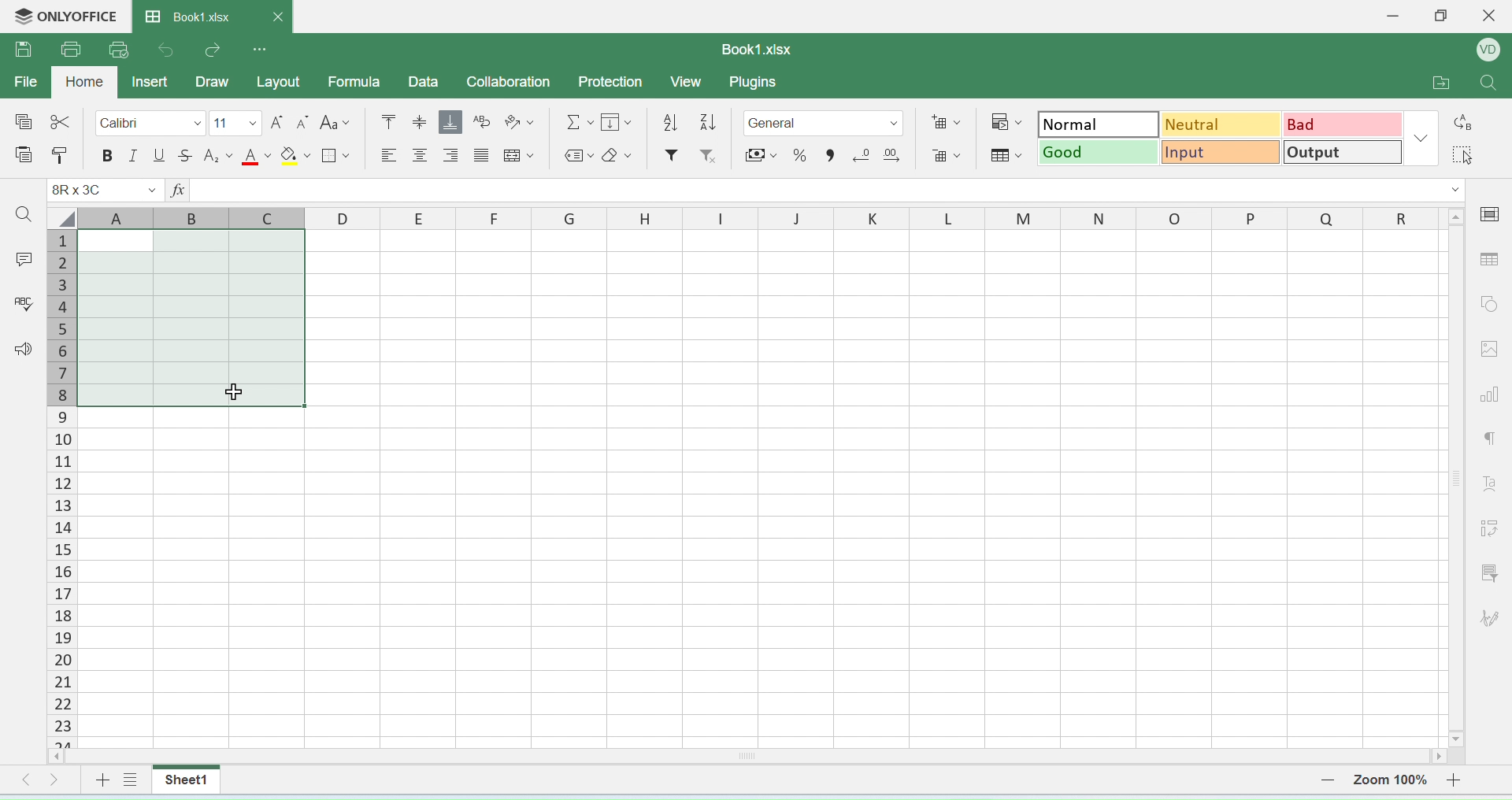 This screenshot has width=1512, height=800. Describe the element at coordinates (520, 122) in the screenshot. I see `orientation` at that location.